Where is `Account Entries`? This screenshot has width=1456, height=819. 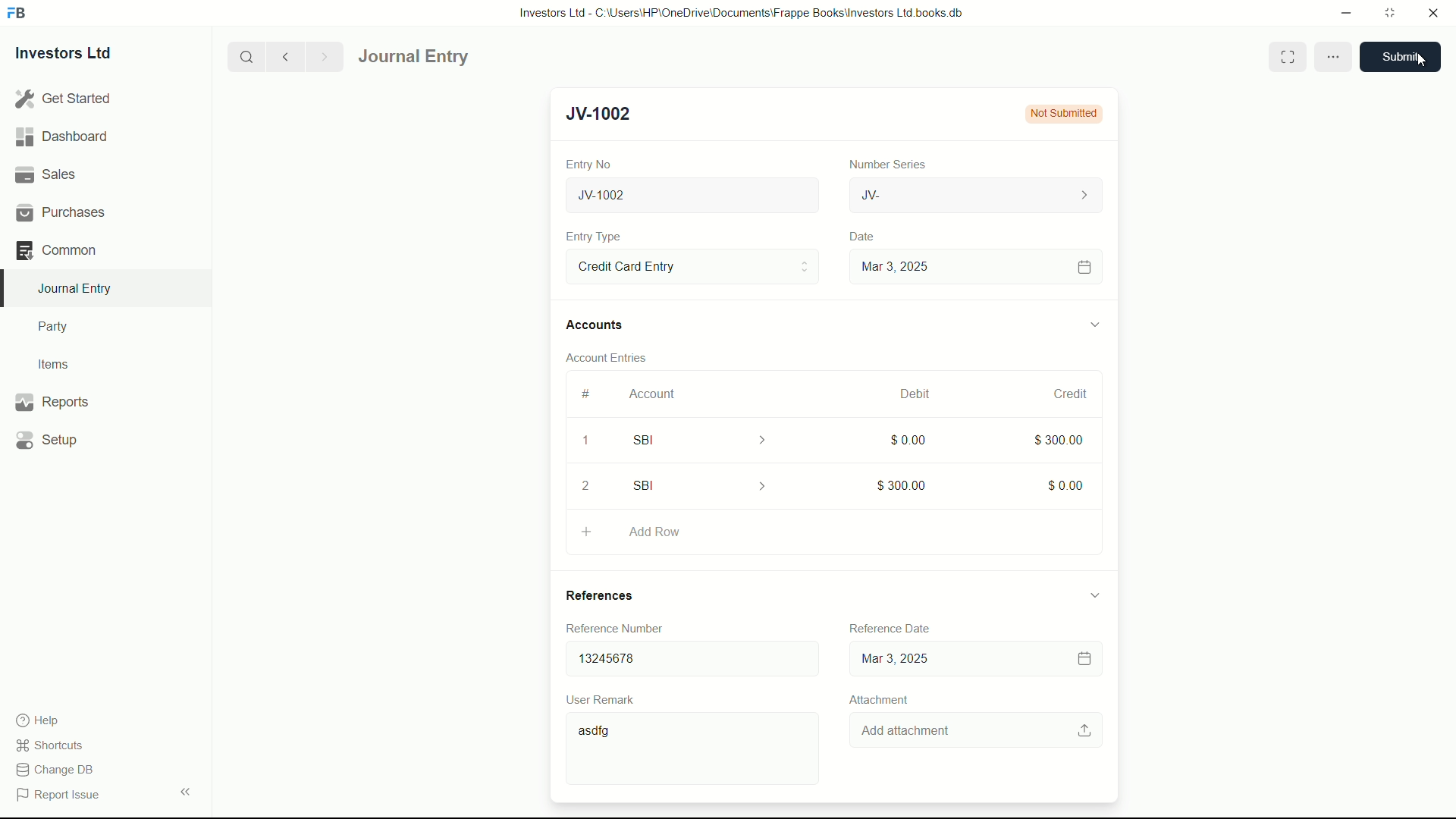
Account Entries is located at coordinates (613, 355).